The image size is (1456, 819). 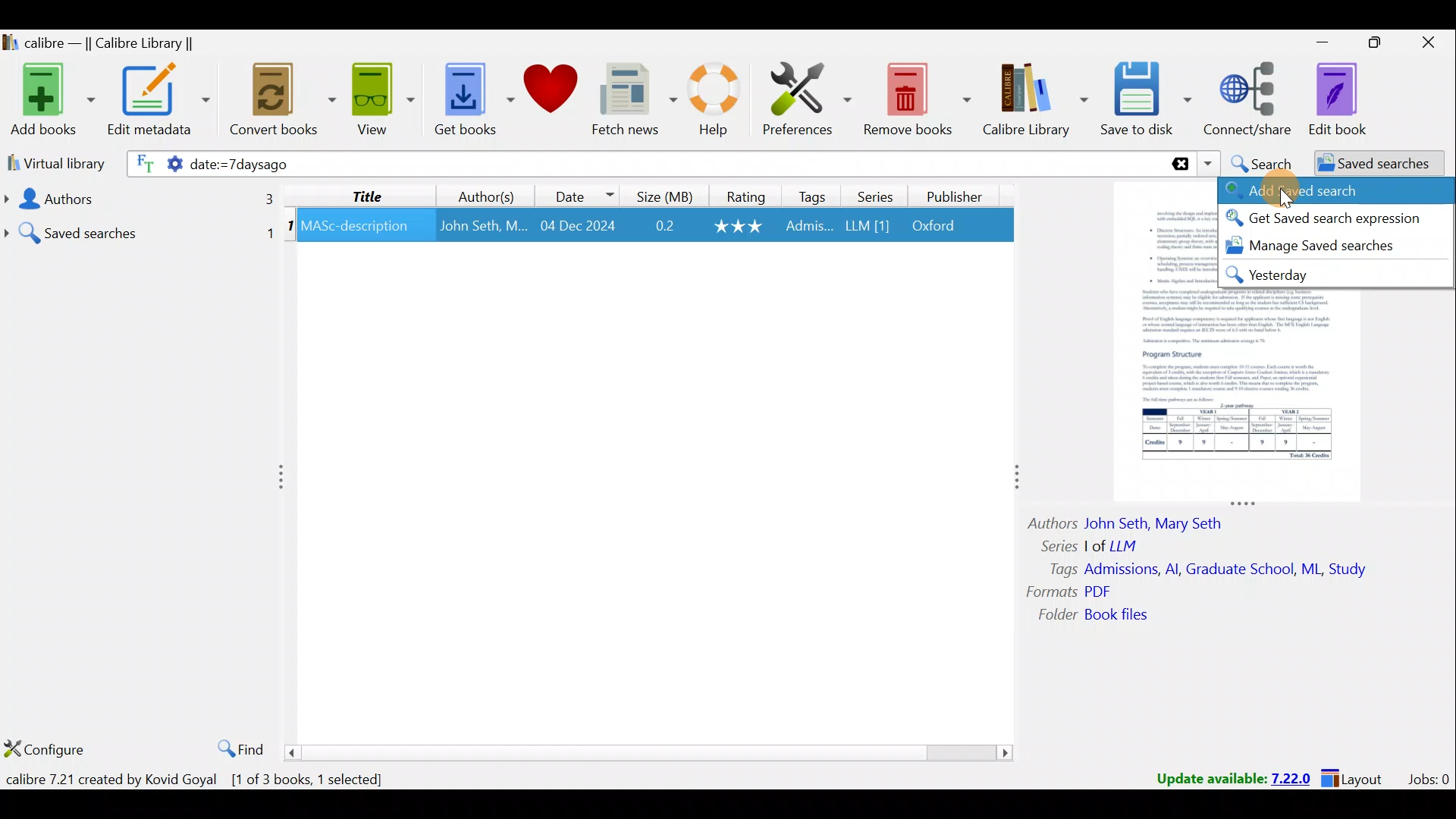 I want to click on 1, so click(x=290, y=228).